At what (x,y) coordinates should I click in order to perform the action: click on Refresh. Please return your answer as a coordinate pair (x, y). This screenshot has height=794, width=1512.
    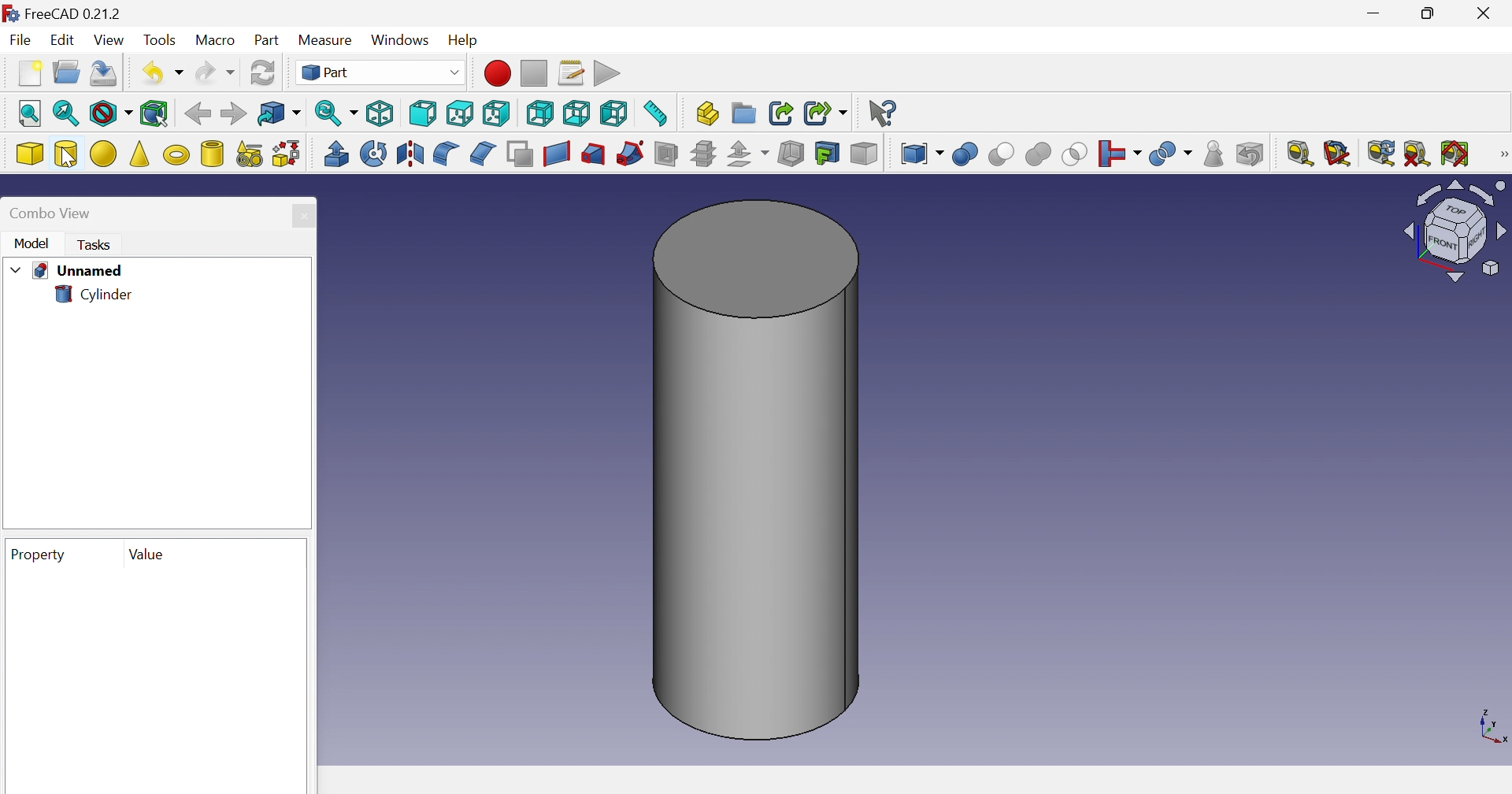
    Looking at the image, I should click on (265, 72).